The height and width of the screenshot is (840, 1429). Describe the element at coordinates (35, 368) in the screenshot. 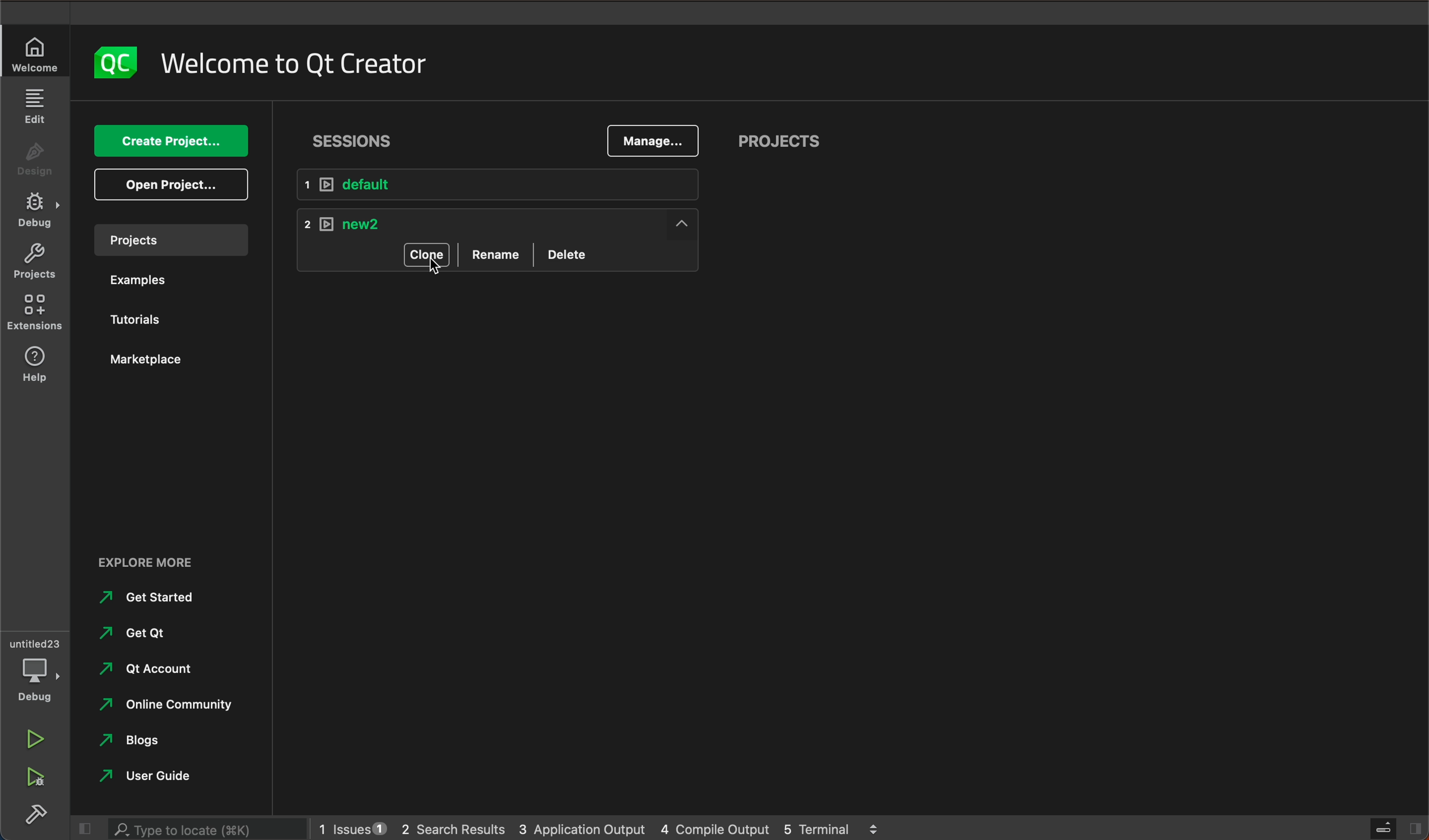

I see `help` at that location.